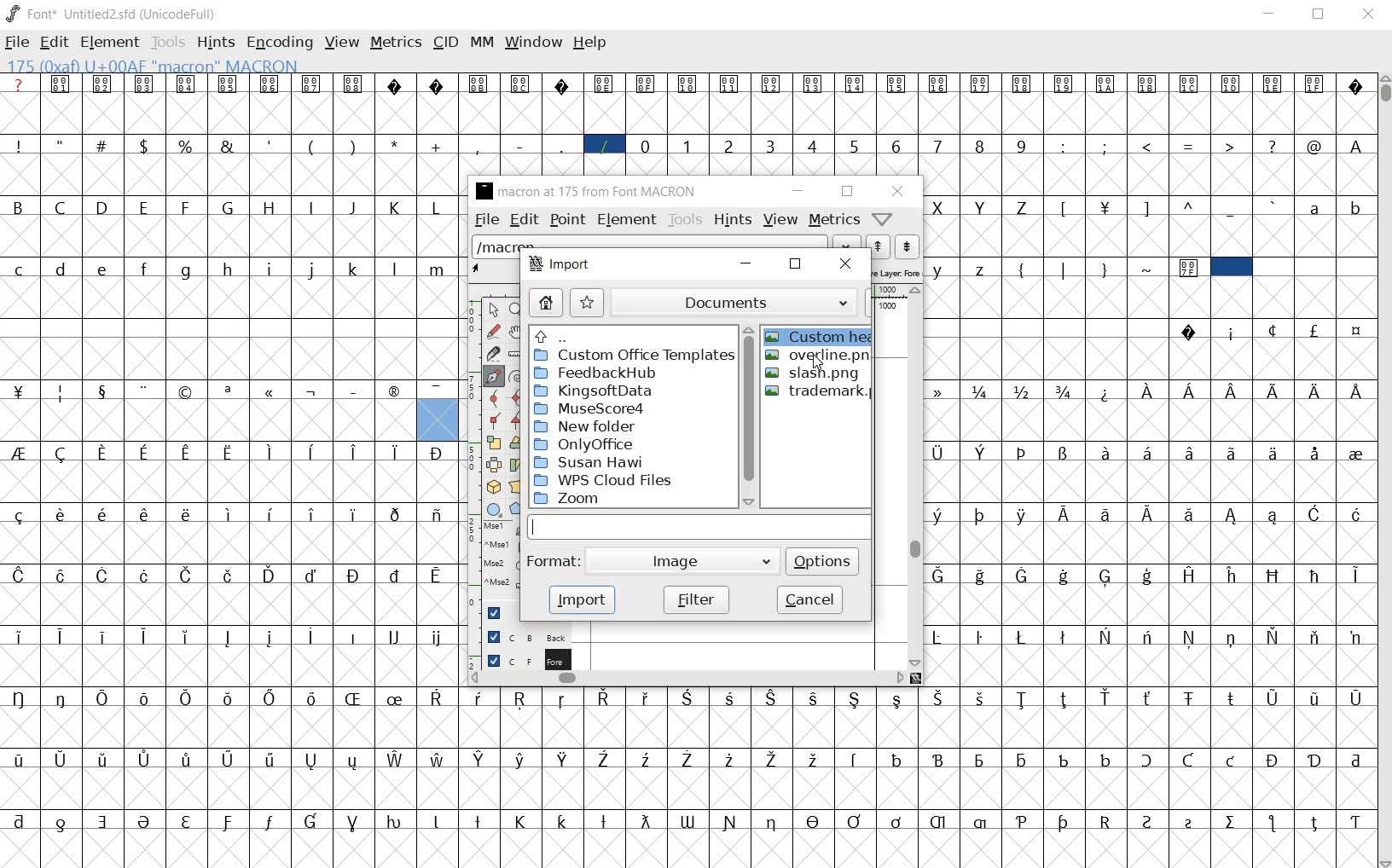  I want to click on Z, so click(1024, 206).